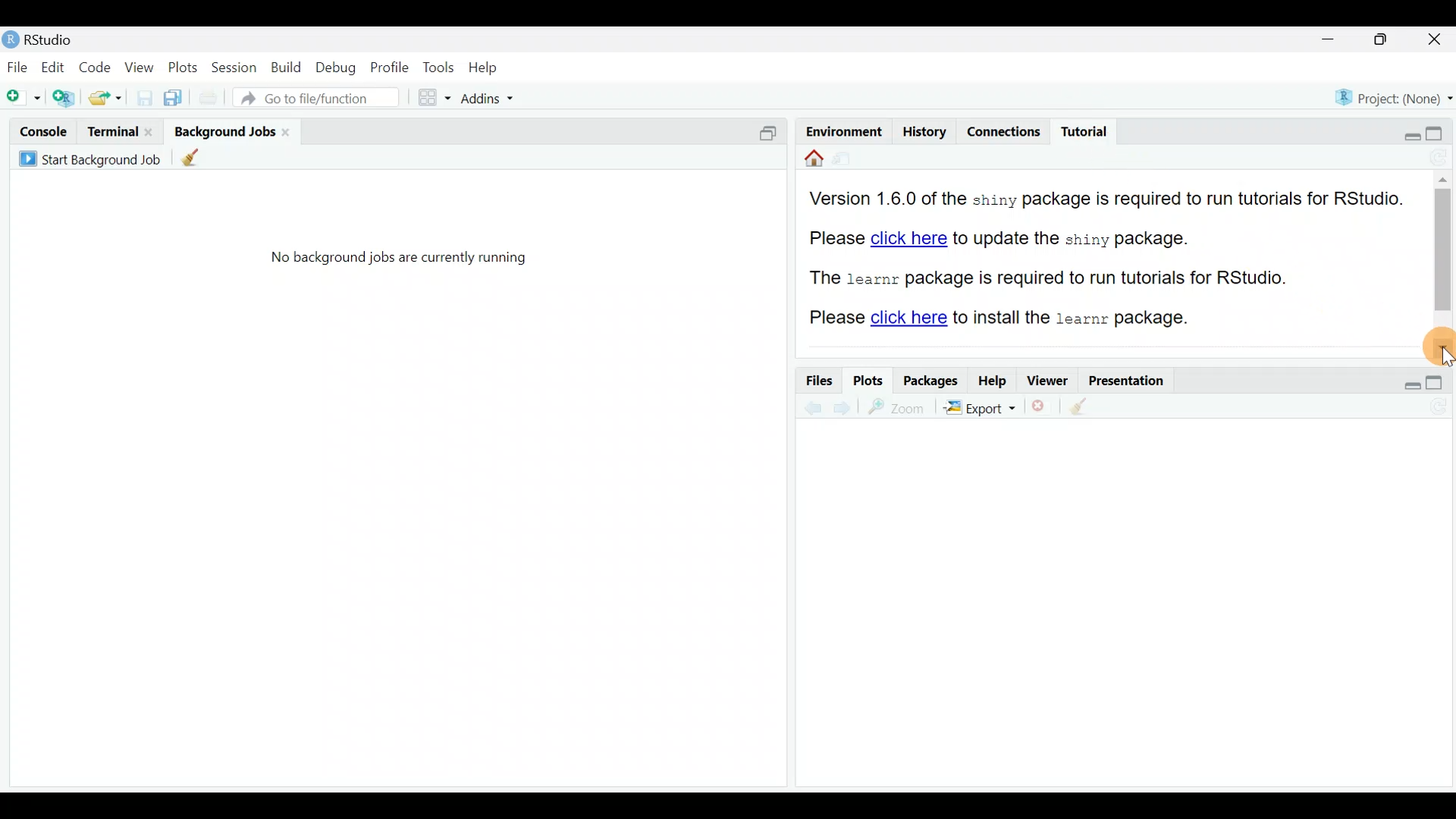 This screenshot has width=1456, height=819. What do you see at coordinates (1405, 379) in the screenshot?
I see `restore down` at bounding box center [1405, 379].